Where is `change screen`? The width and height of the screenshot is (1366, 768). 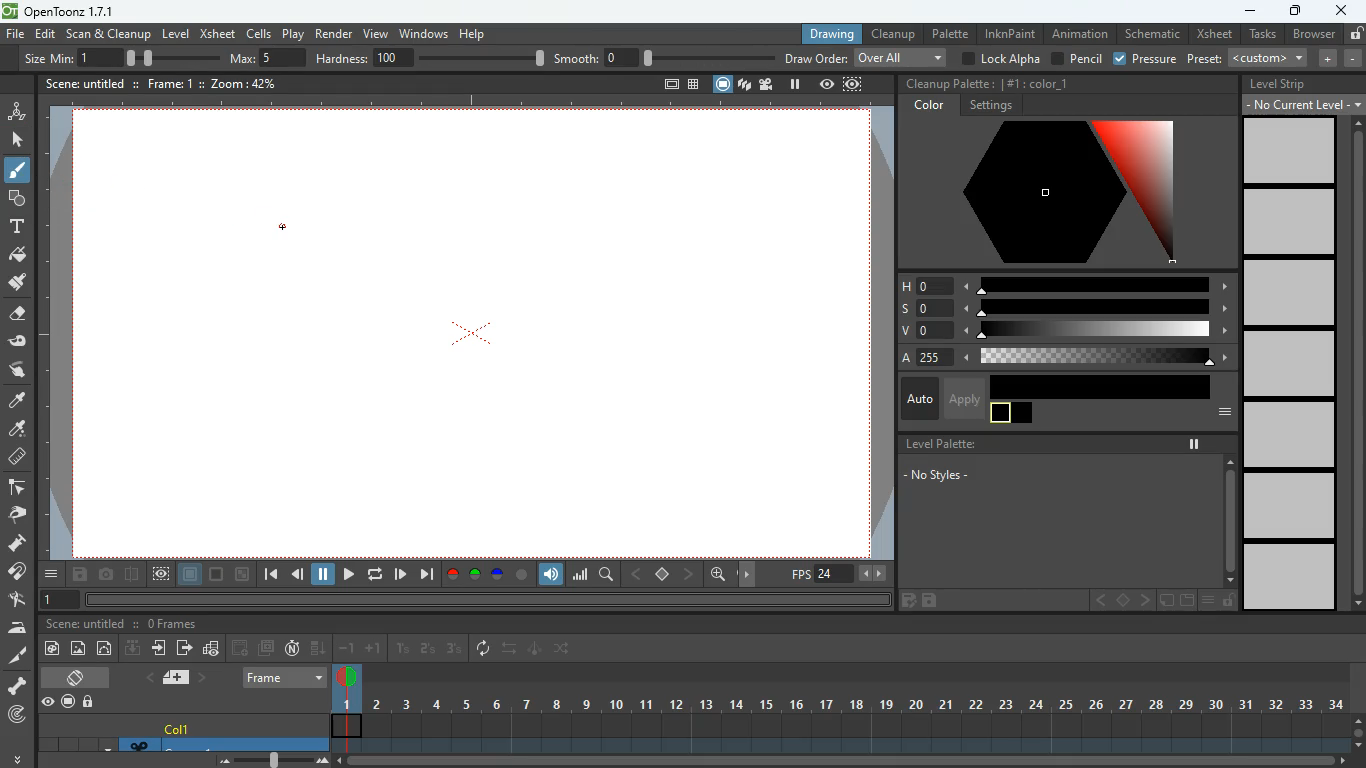 change screen is located at coordinates (79, 677).